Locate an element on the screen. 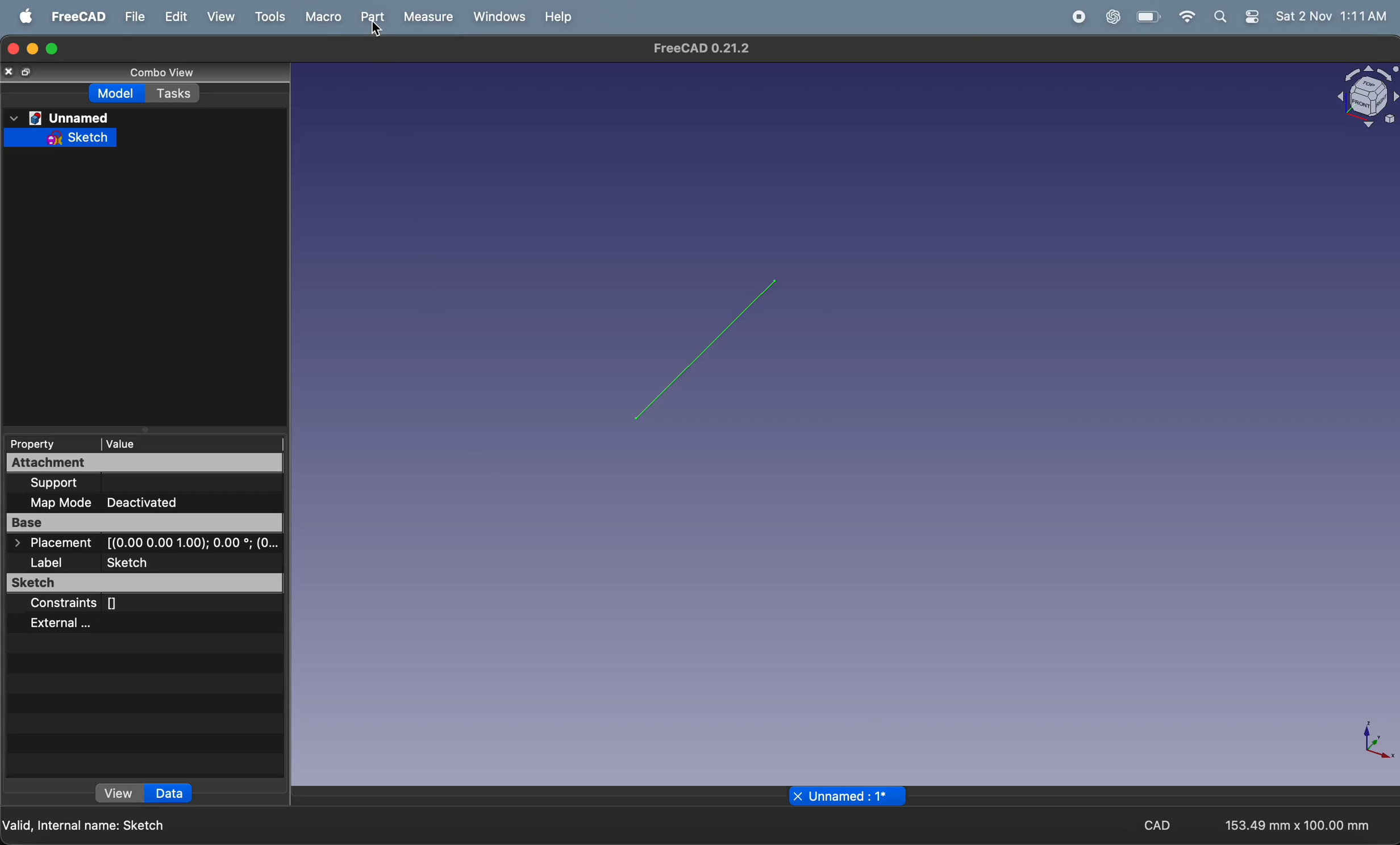  help is located at coordinates (560, 17).